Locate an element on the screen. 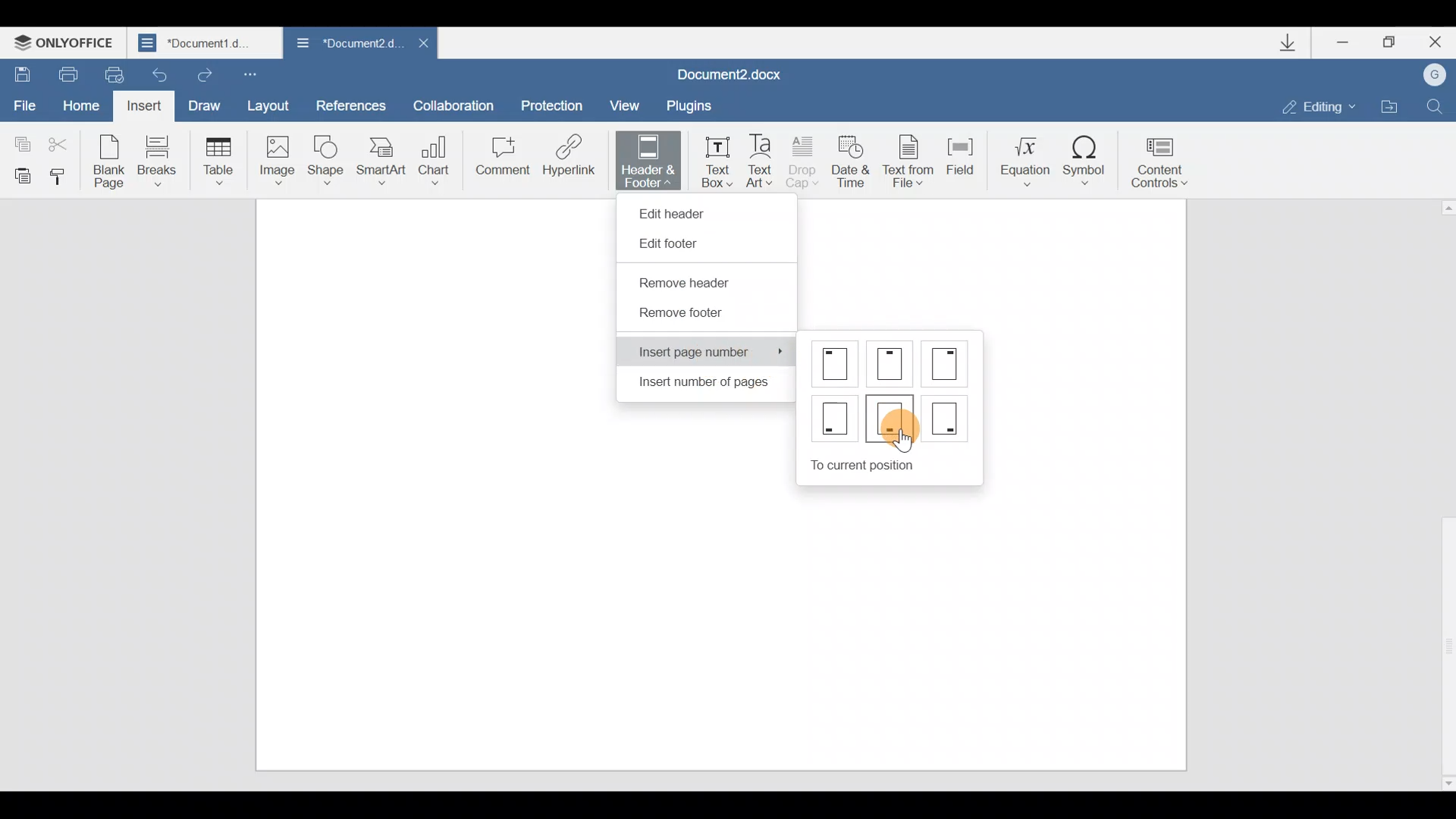  Document2.docx is located at coordinates (742, 71).